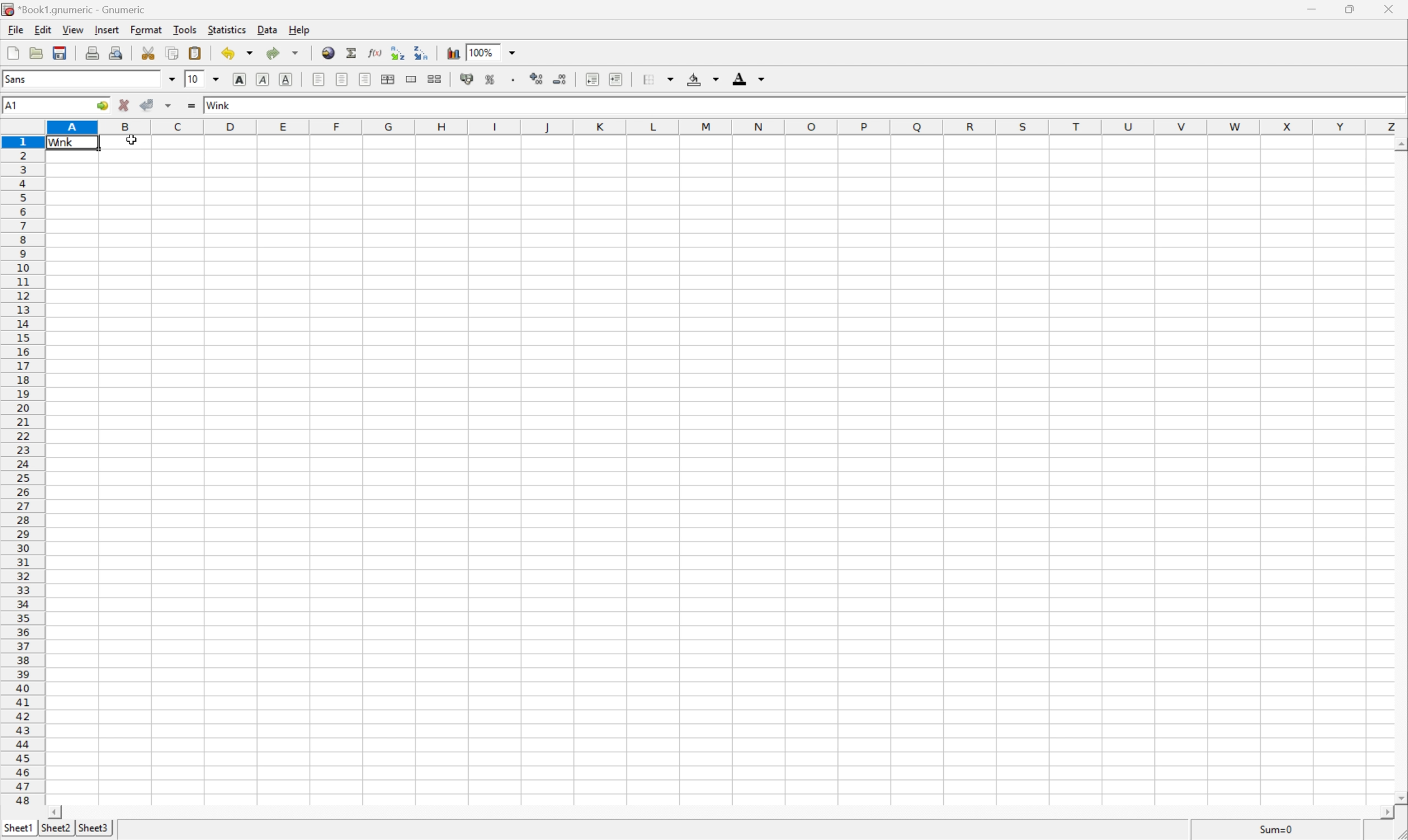 This screenshot has width=1408, height=840. Describe the element at coordinates (365, 79) in the screenshot. I see `align right` at that location.